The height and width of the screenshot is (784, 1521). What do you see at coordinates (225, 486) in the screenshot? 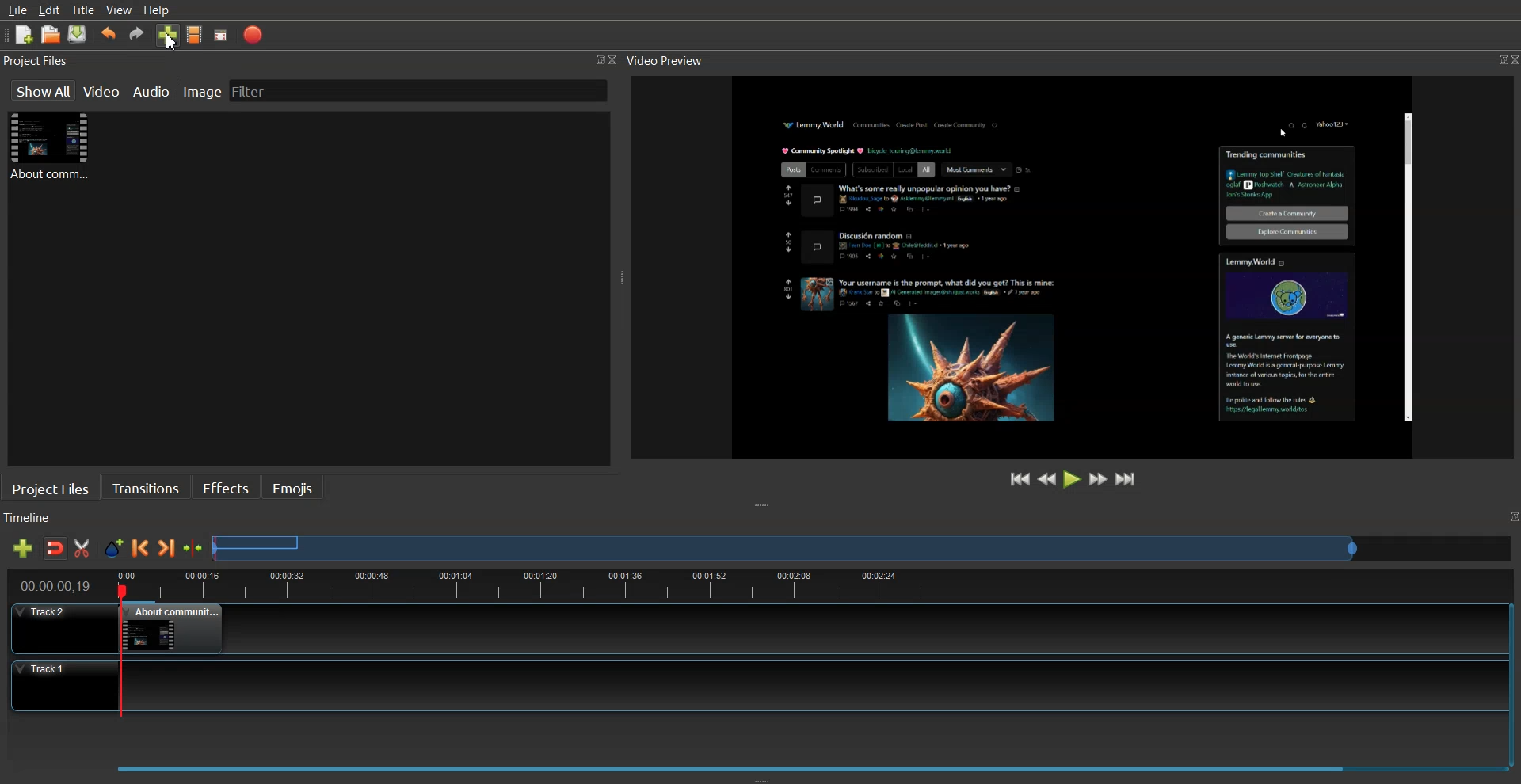
I see `Effects` at bounding box center [225, 486].